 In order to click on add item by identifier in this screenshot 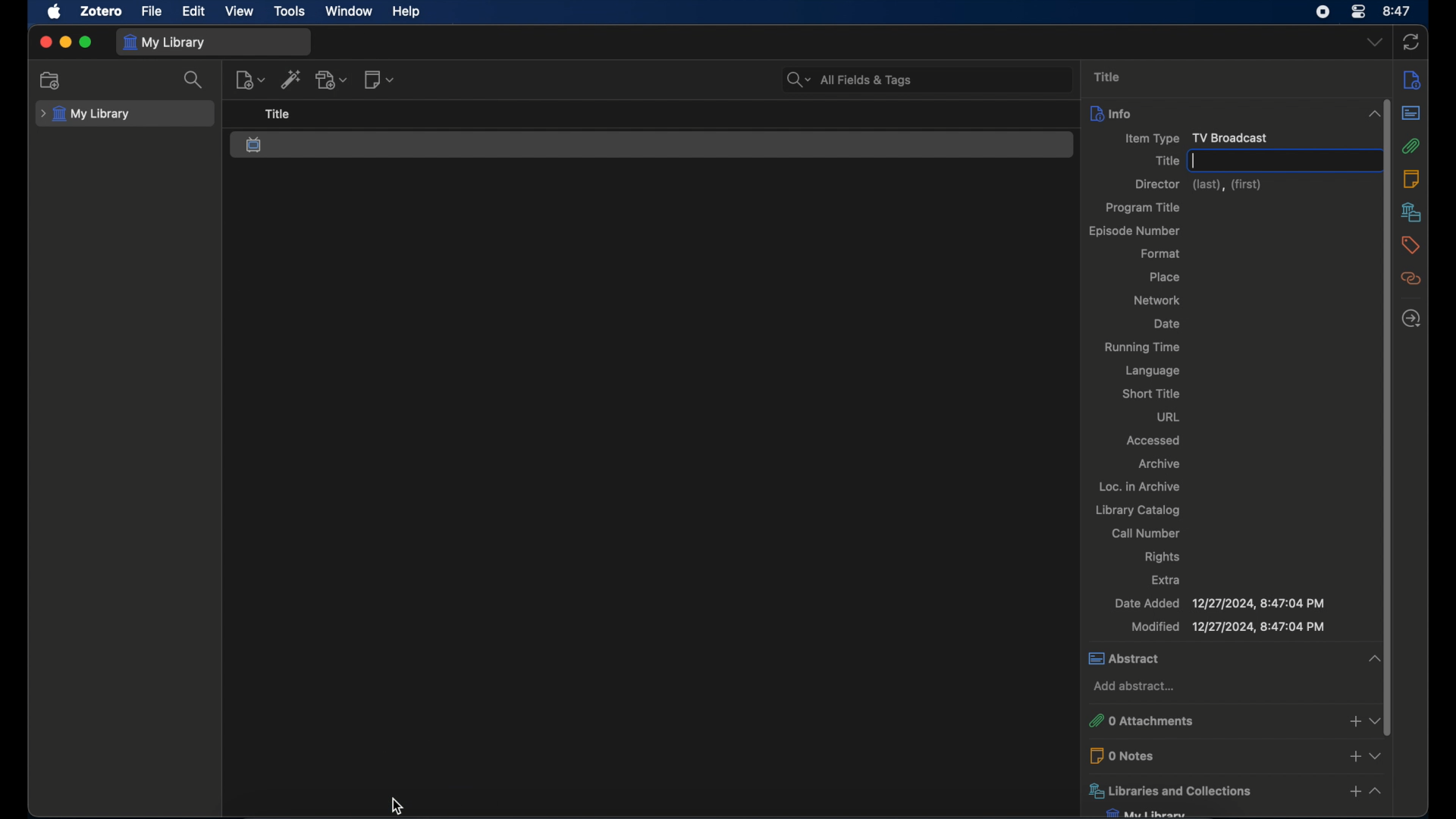, I will do `click(292, 80)`.